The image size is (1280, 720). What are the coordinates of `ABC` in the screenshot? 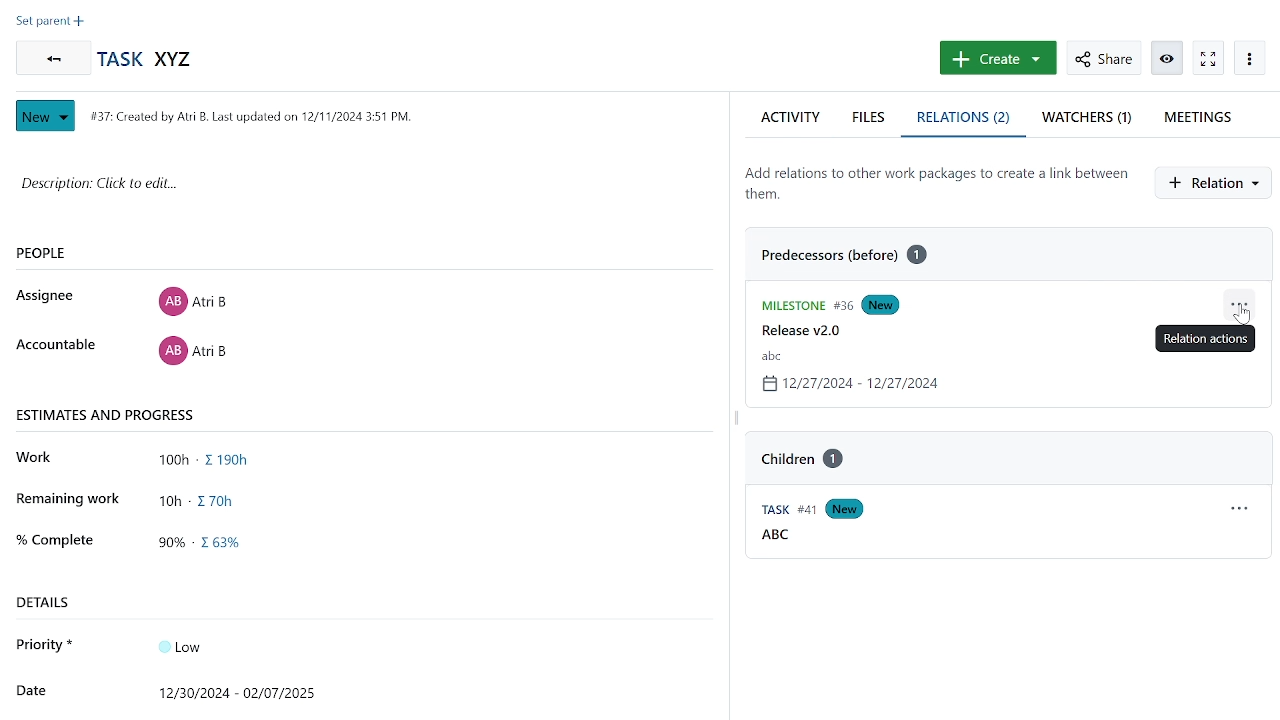 It's located at (776, 537).